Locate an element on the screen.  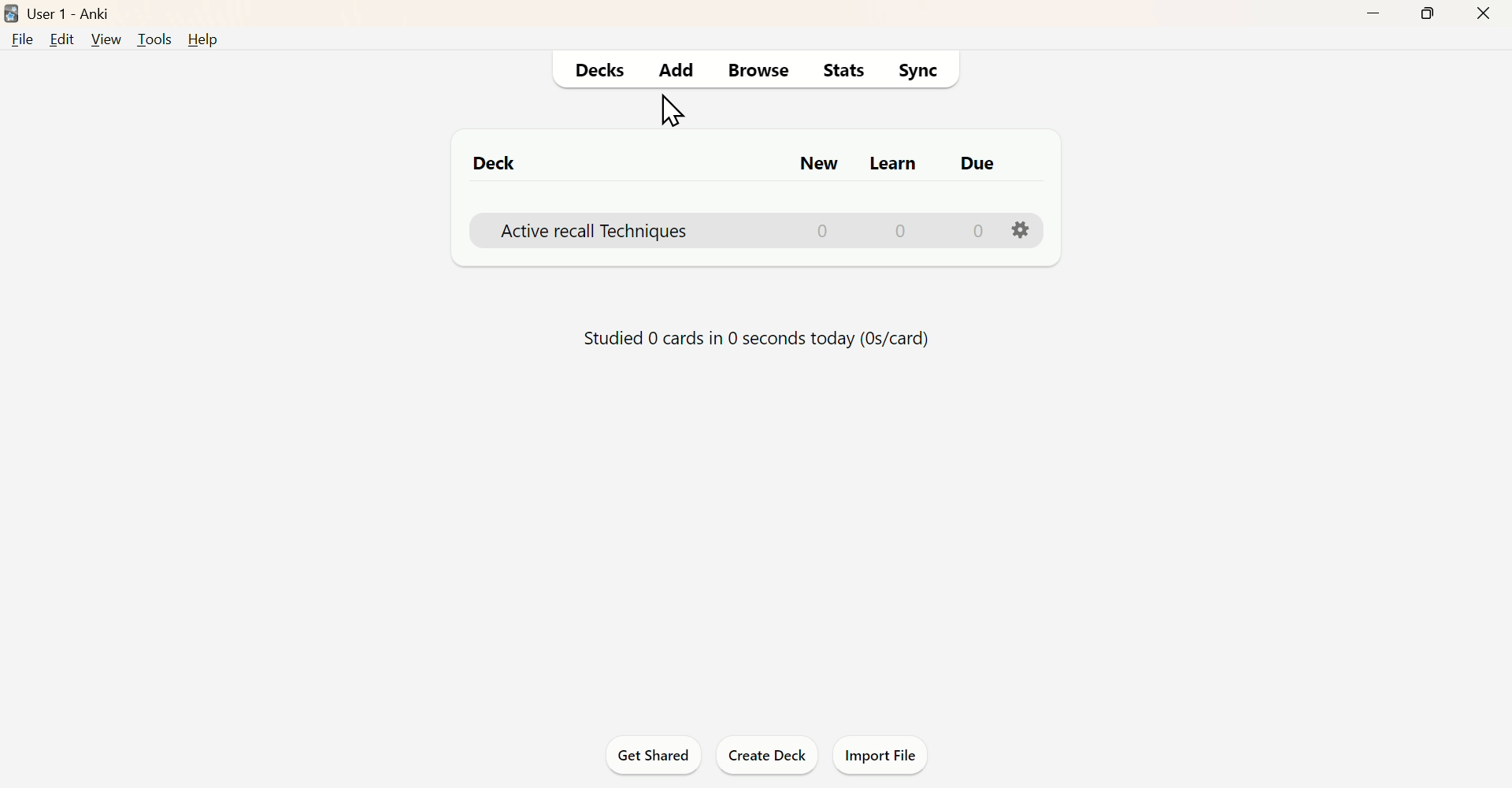
Edit is located at coordinates (61, 39).